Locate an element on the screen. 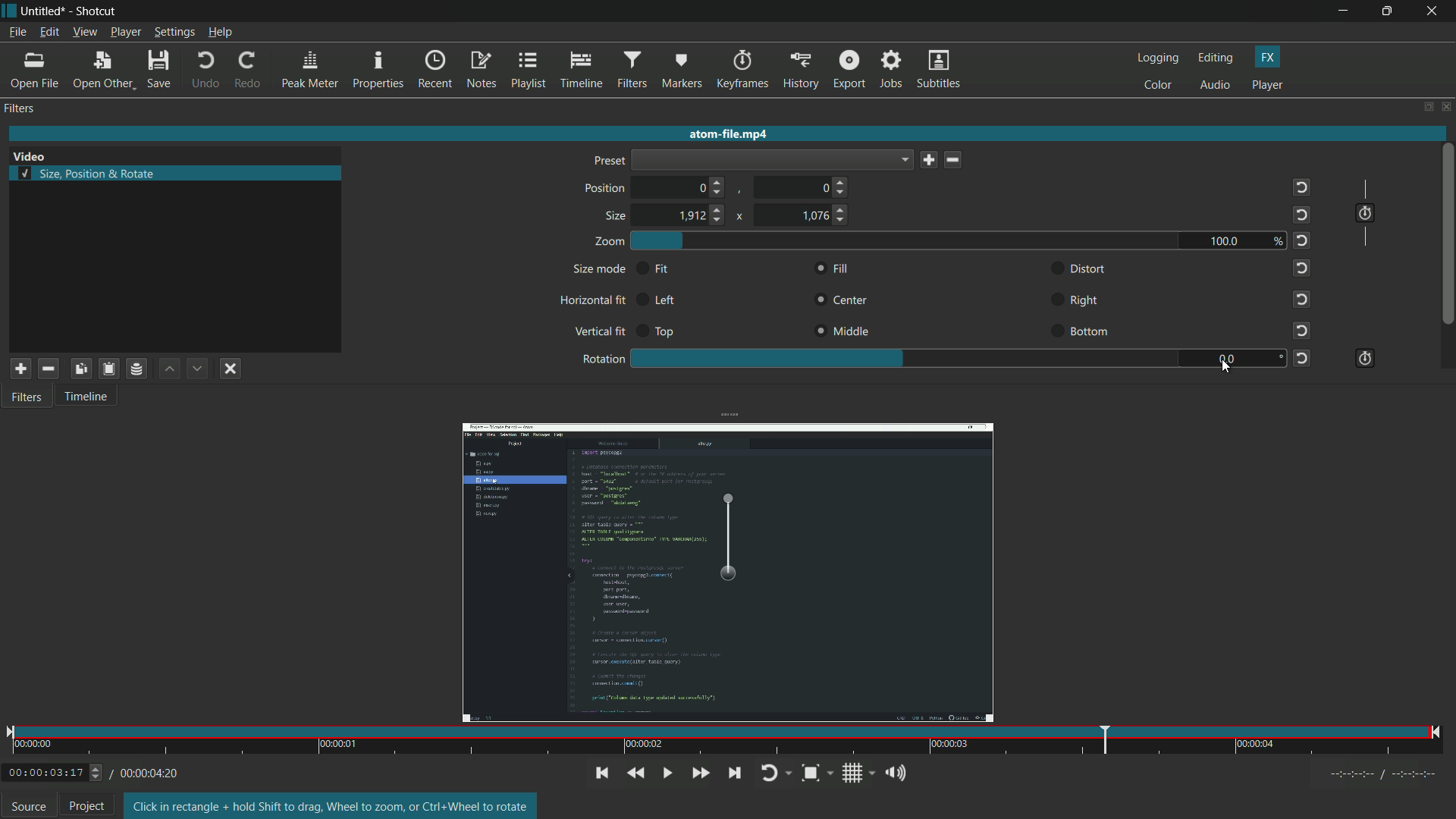  zoom is located at coordinates (609, 242).